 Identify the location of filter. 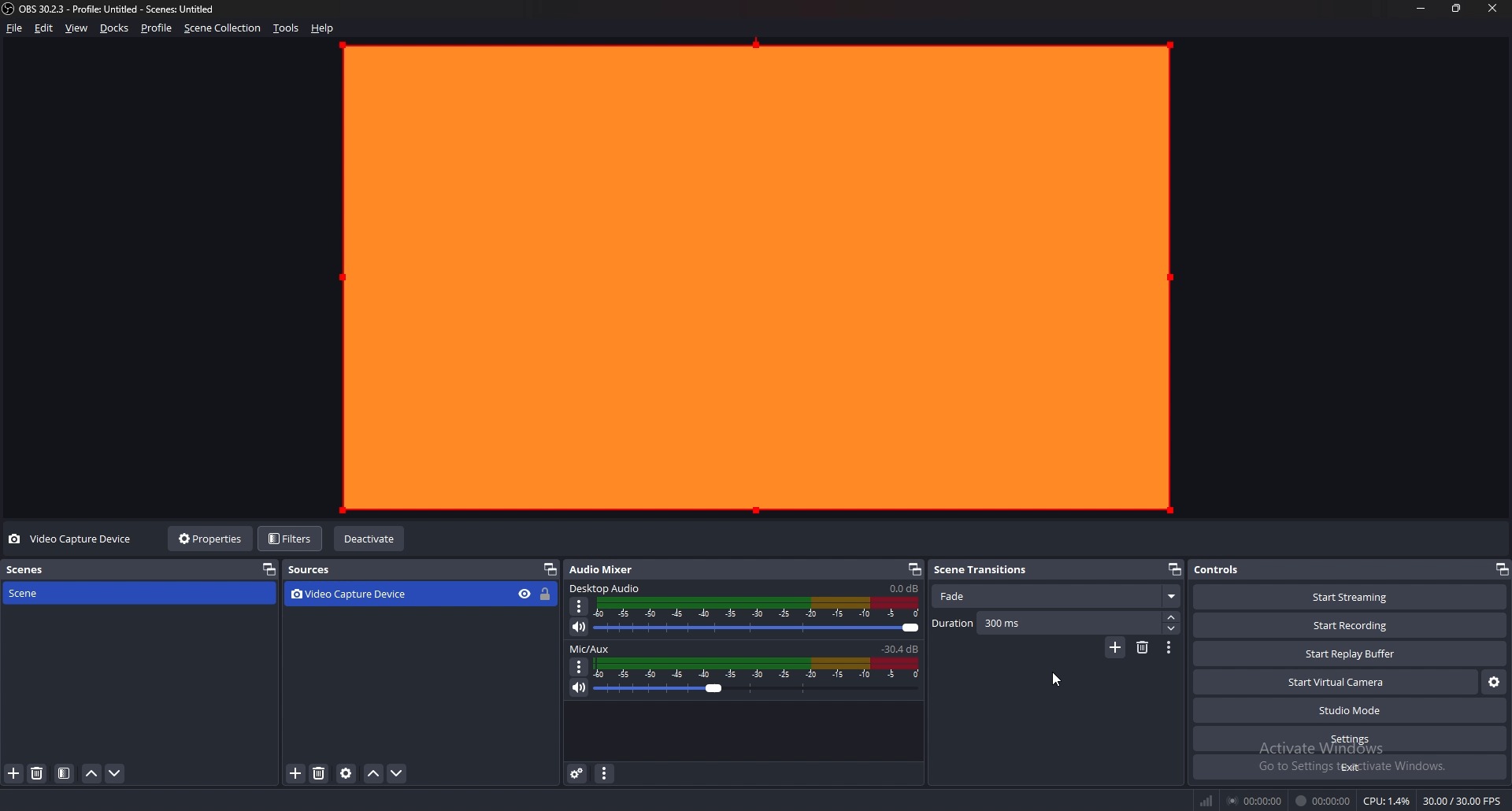
(65, 774).